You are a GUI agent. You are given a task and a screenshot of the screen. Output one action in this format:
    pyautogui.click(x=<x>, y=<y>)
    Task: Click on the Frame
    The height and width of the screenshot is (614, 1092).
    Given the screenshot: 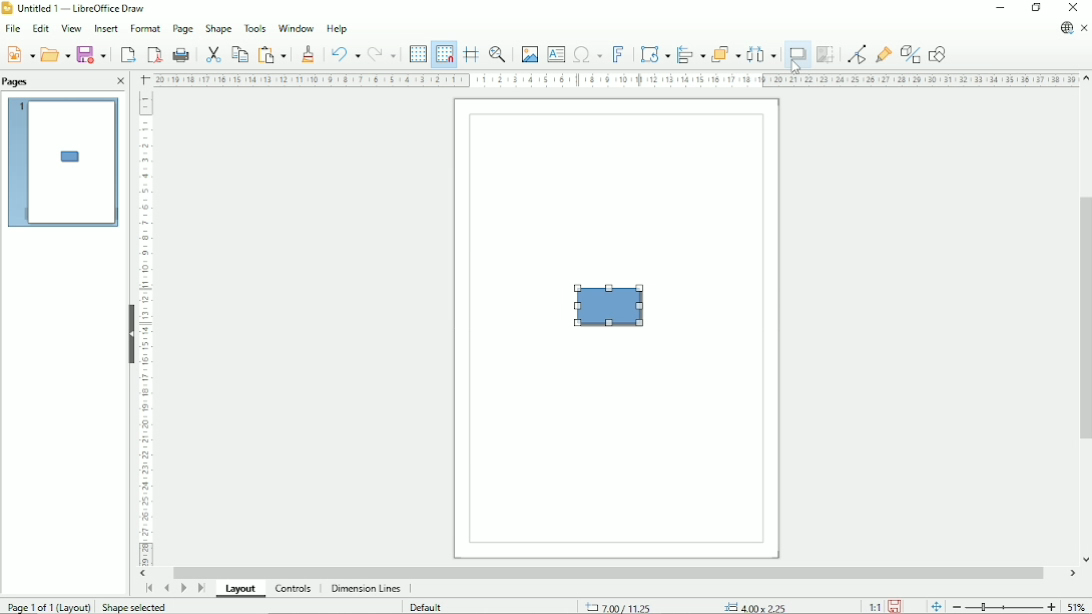 What is the action you would take?
    pyautogui.click(x=608, y=179)
    